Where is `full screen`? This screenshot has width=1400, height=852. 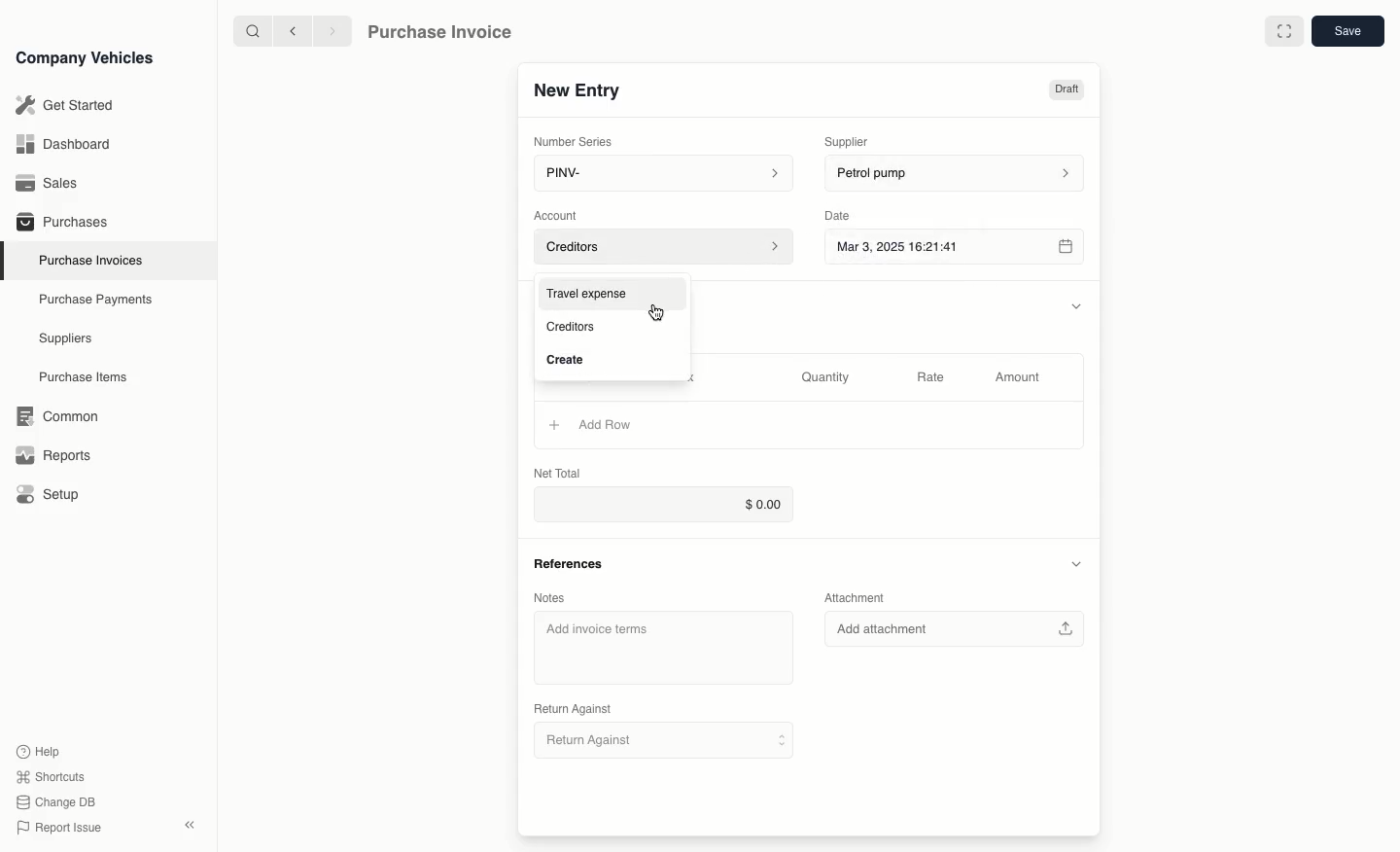 full screen is located at coordinates (1283, 31).